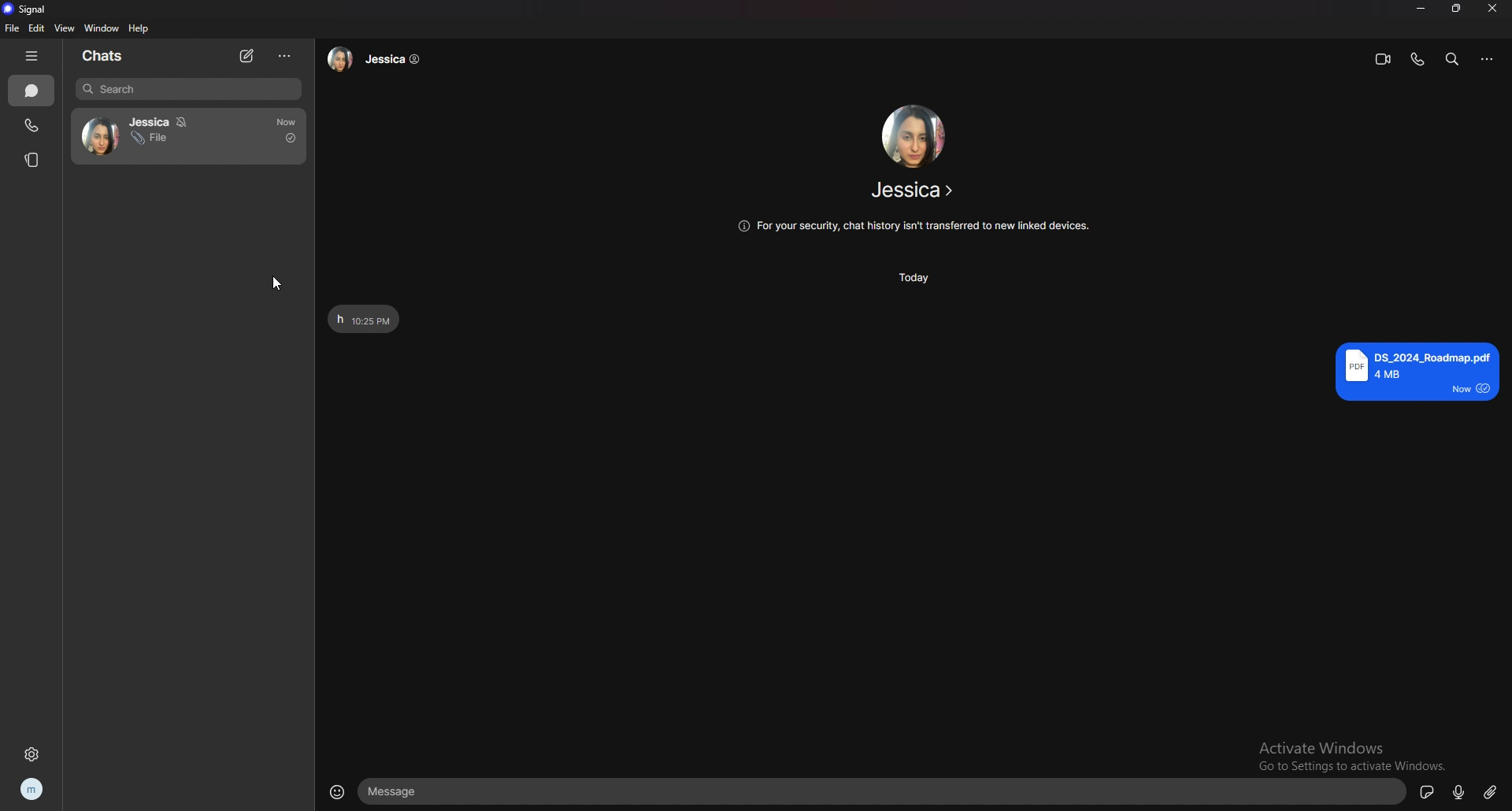 This screenshot has height=811, width=1512. I want to click on search messages, so click(1452, 58).